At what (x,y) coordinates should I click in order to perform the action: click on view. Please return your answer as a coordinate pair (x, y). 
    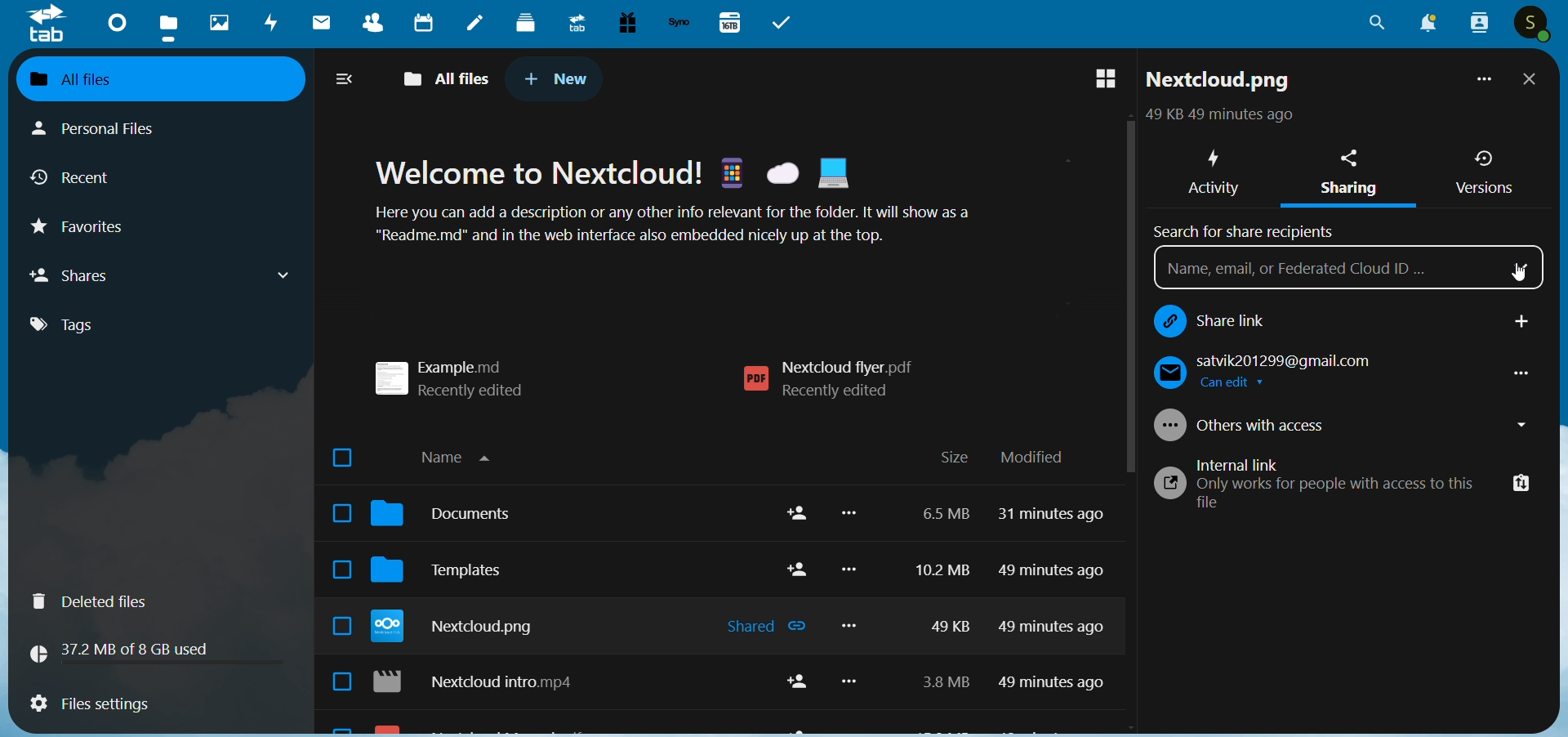
    Looking at the image, I should click on (1097, 80).